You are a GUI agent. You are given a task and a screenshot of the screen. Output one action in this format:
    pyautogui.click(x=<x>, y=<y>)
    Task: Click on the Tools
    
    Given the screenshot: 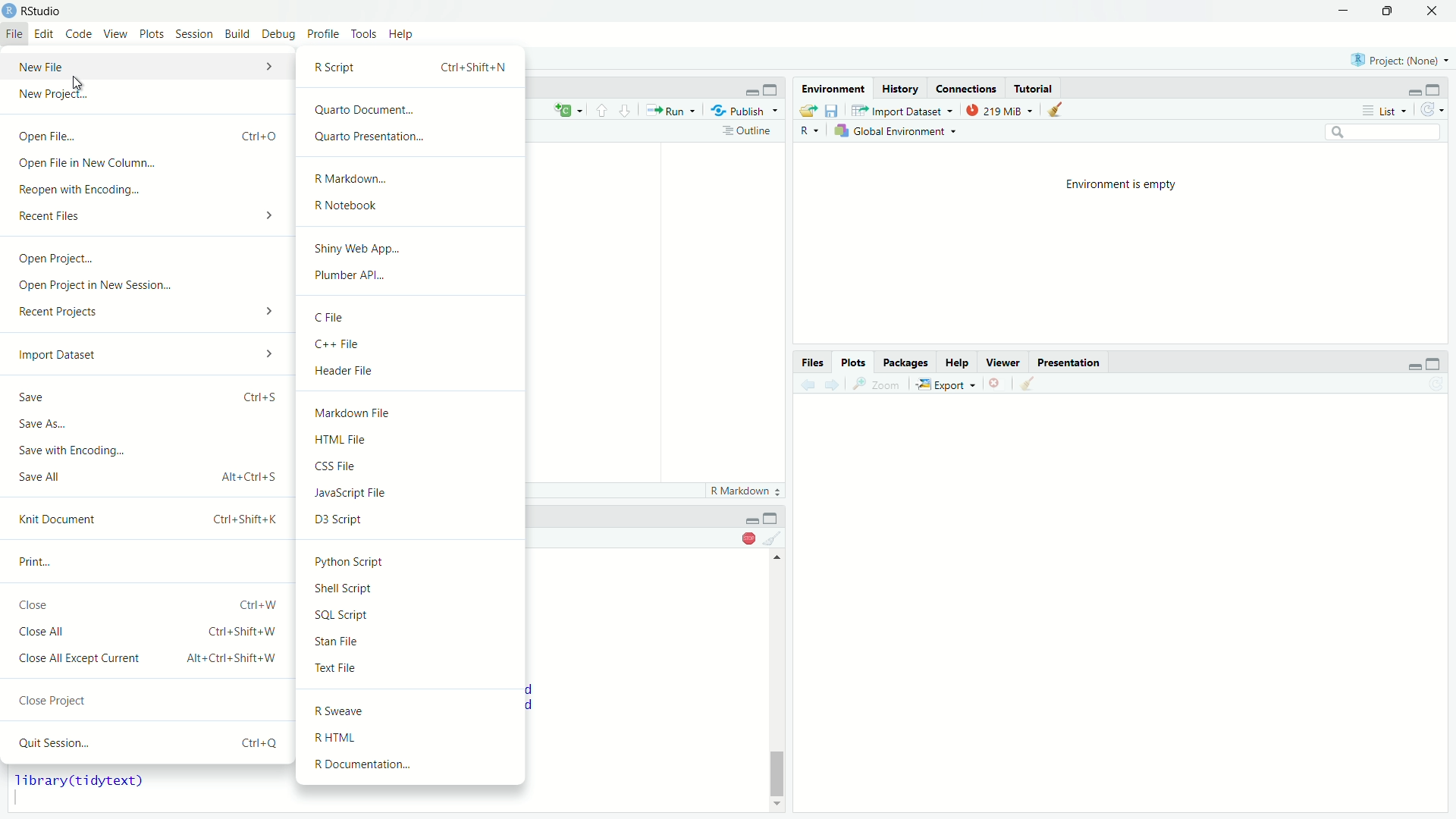 What is the action you would take?
    pyautogui.click(x=362, y=34)
    